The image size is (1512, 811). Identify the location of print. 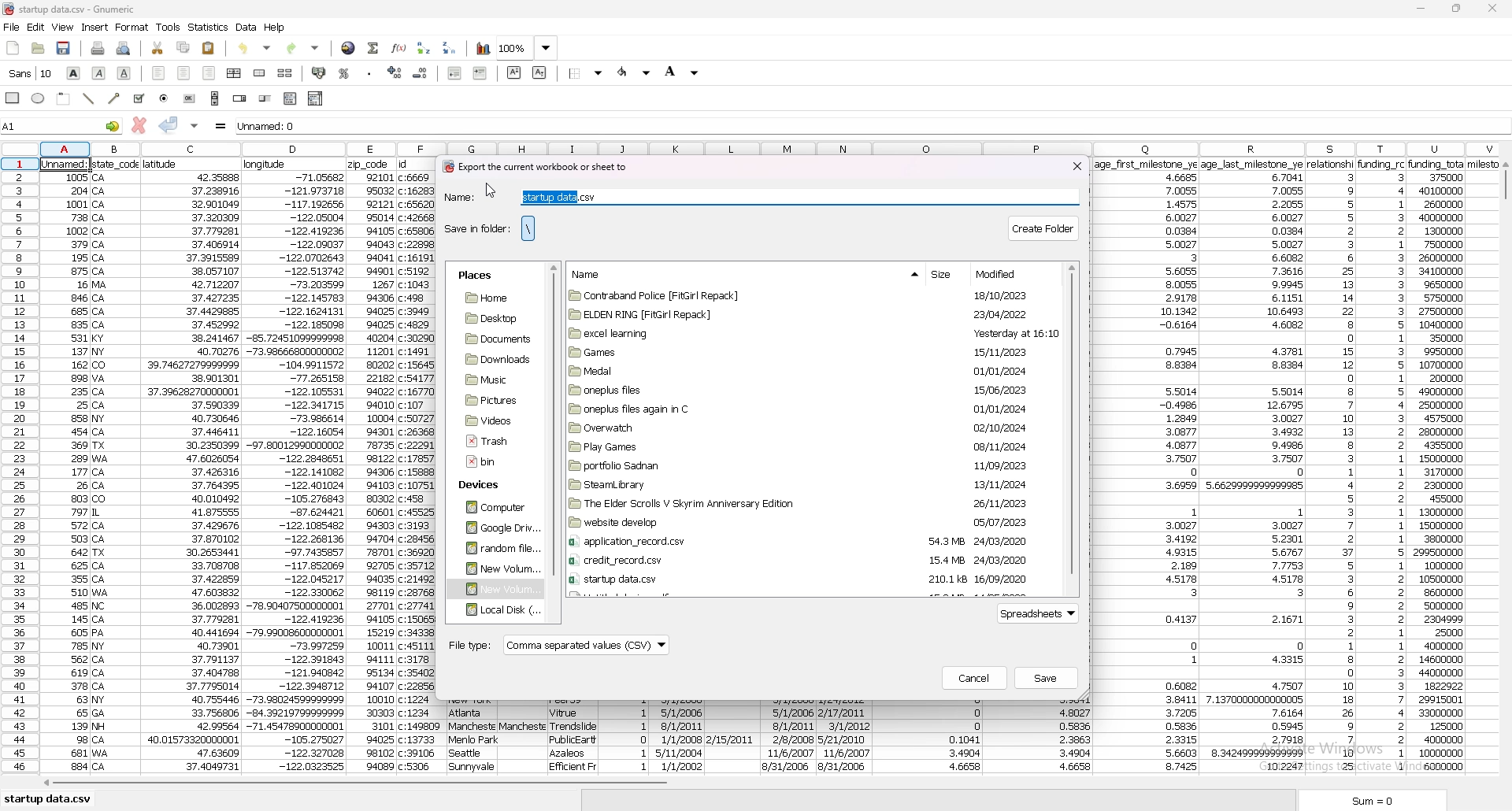
(97, 49).